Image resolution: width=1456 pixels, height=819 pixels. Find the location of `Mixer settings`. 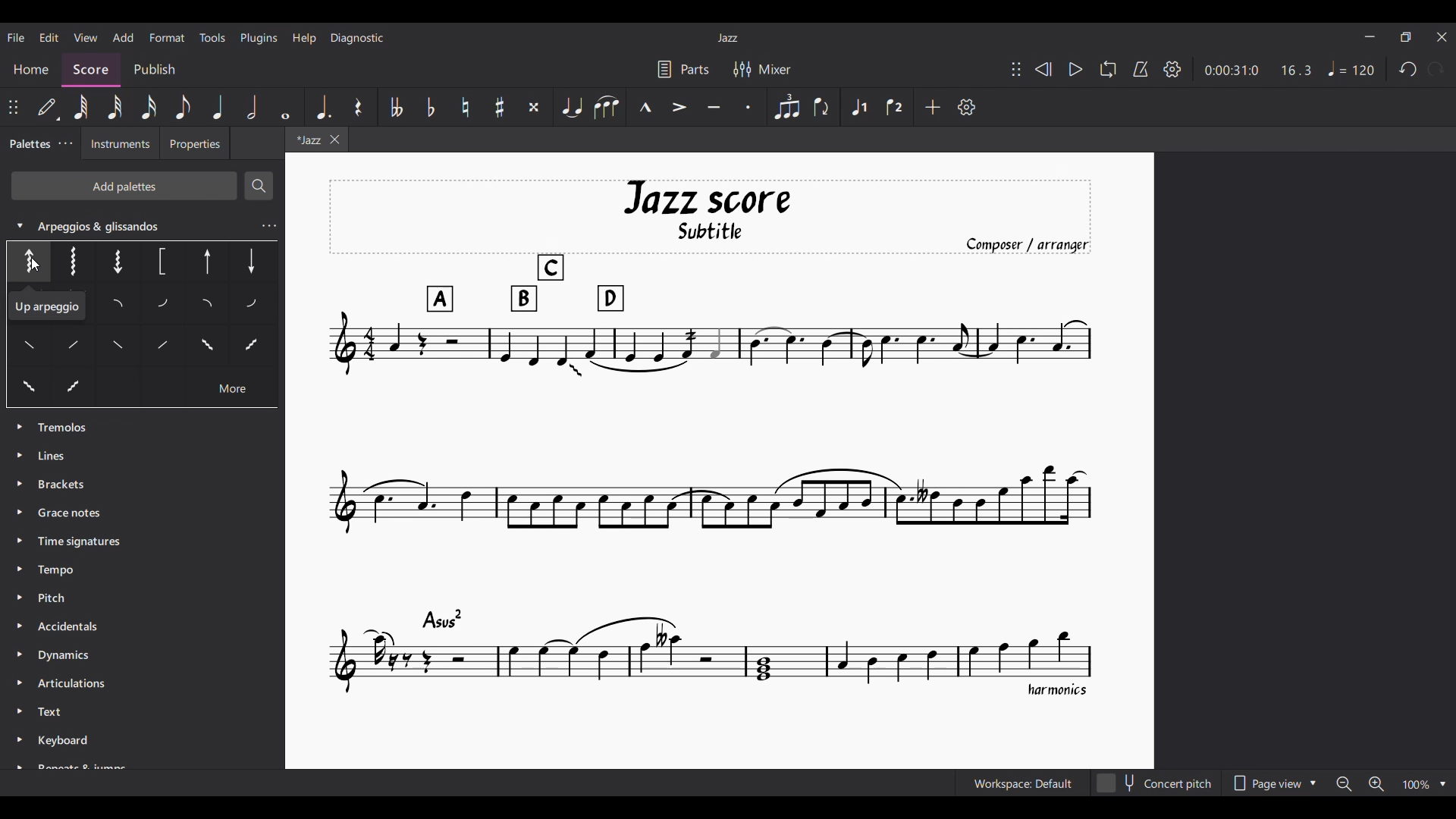

Mixer settings is located at coordinates (762, 69).